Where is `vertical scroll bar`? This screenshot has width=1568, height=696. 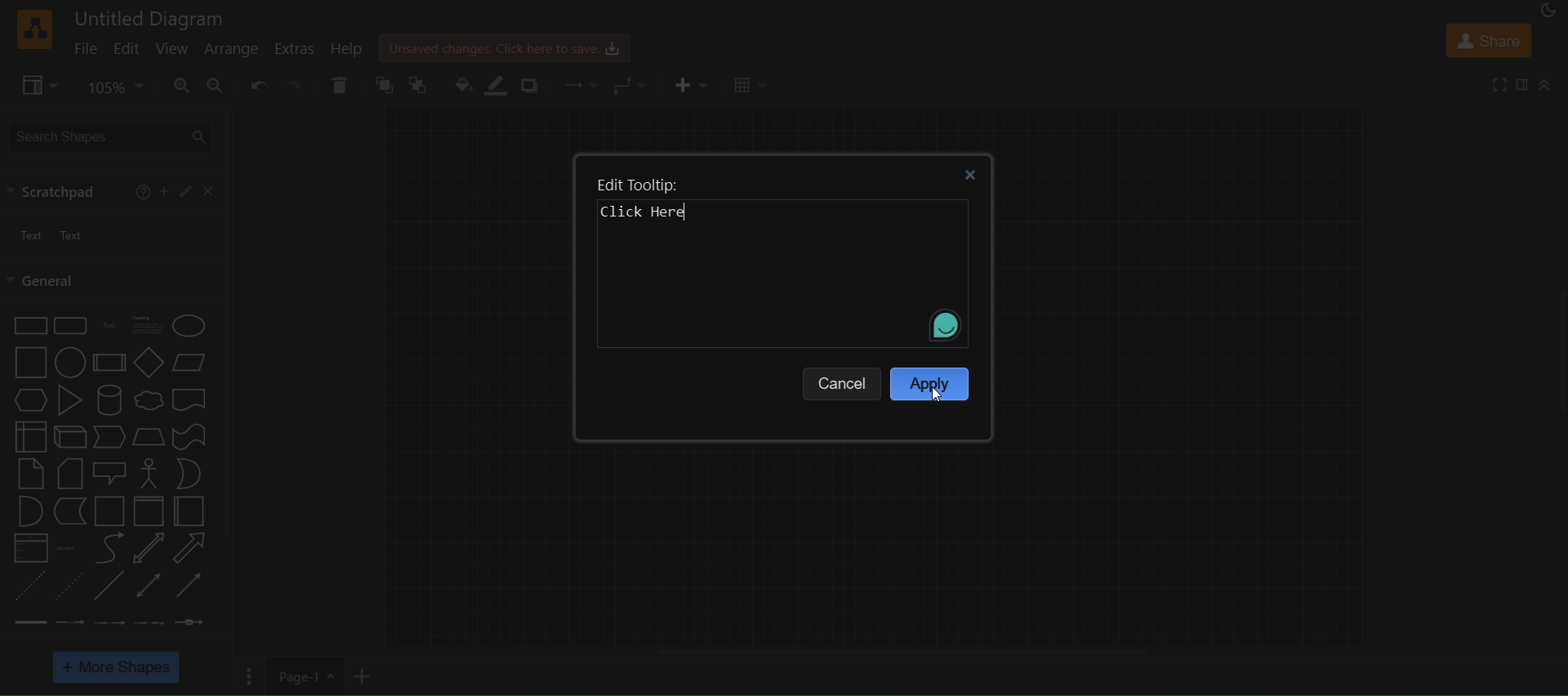 vertical scroll bar is located at coordinates (228, 321).